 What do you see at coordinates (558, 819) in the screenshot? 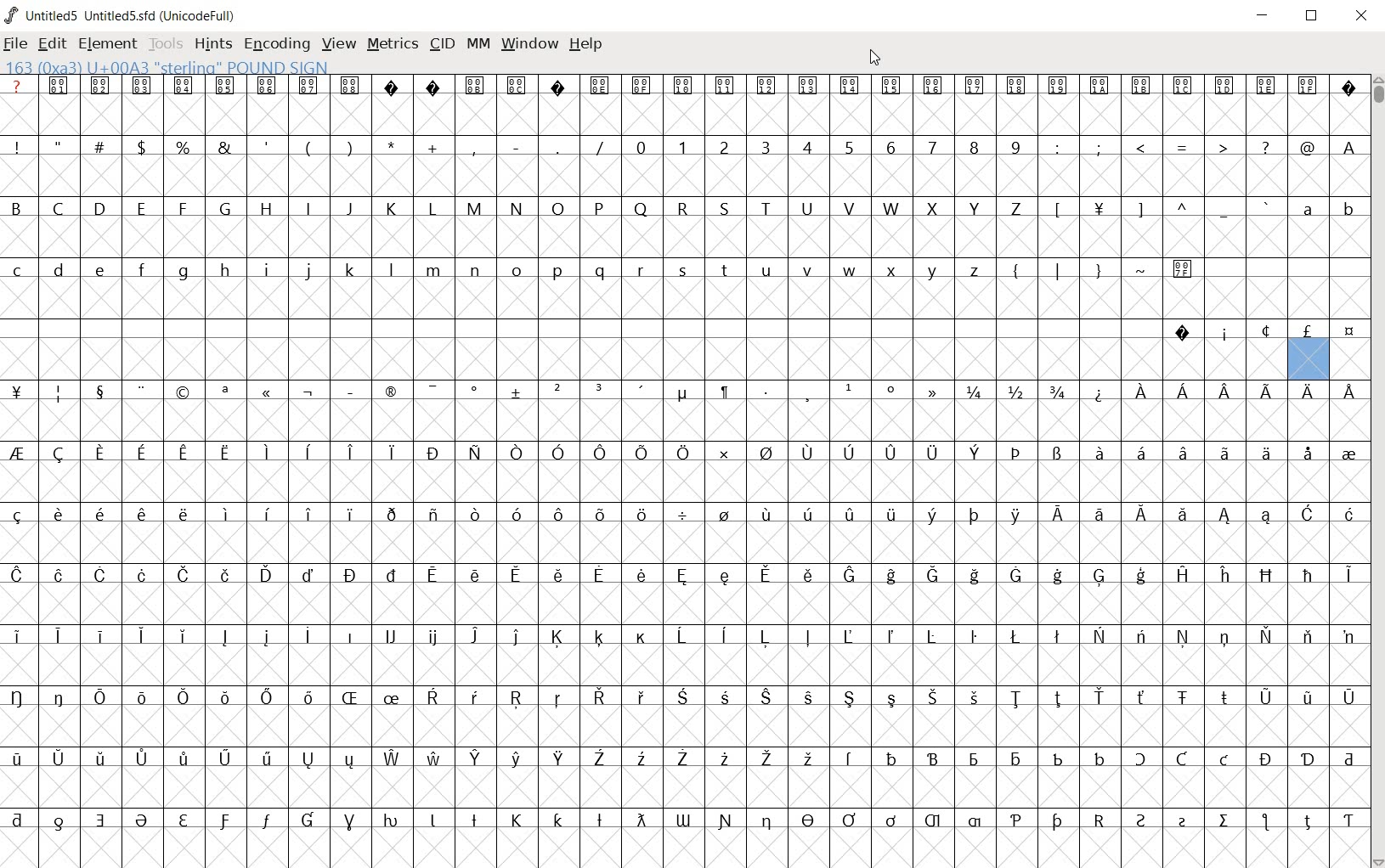
I see `` at bounding box center [558, 819].